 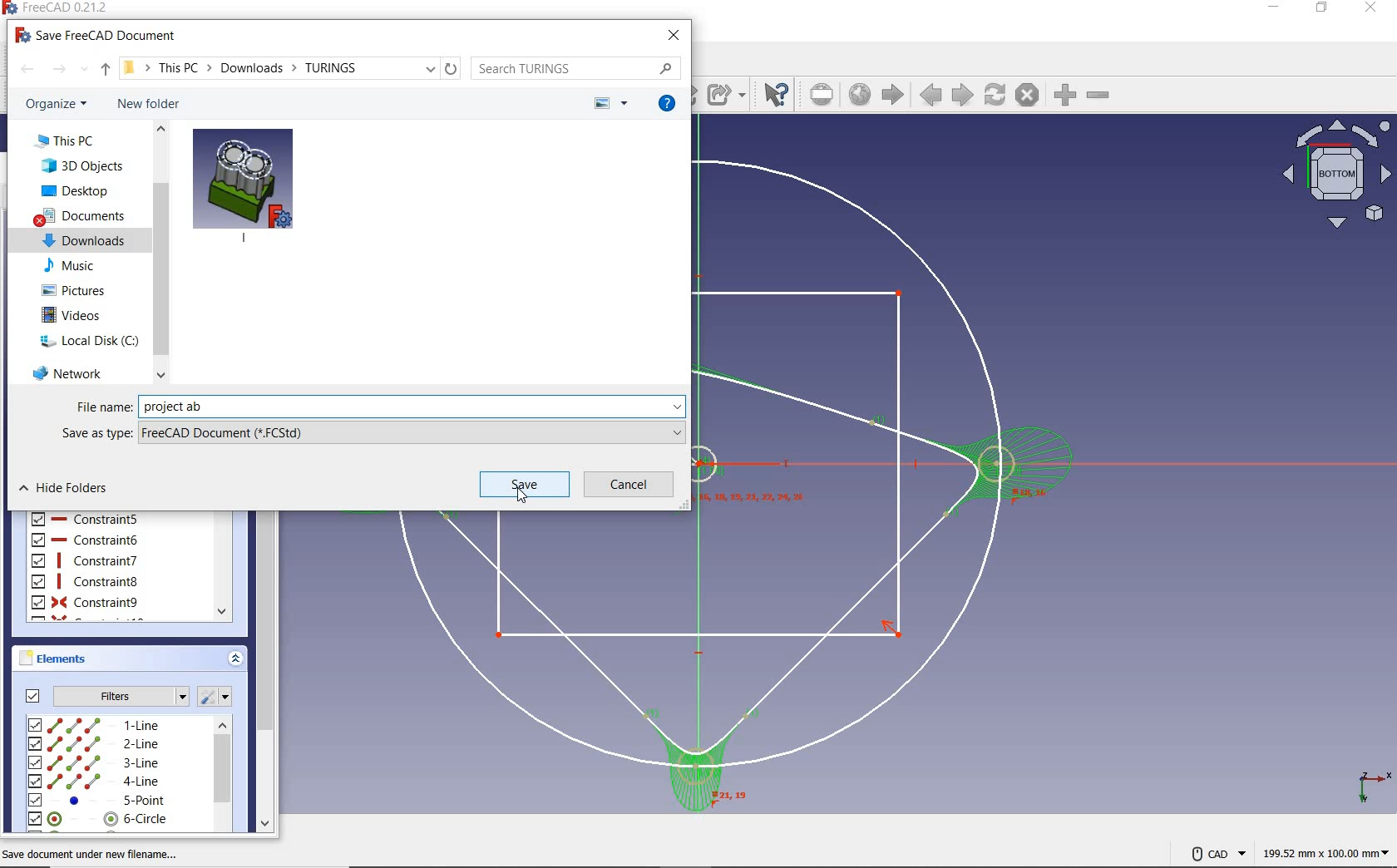 I want to click on 3-line, so click(x=94, y=763).